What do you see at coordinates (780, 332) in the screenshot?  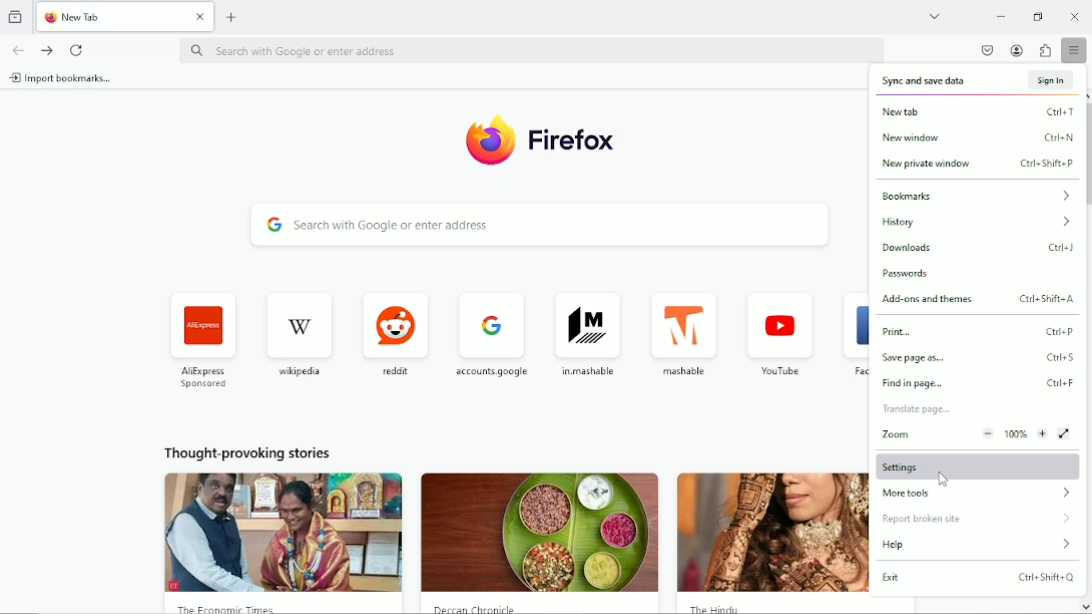 I see `youtube` at bounding box center [780, 332].